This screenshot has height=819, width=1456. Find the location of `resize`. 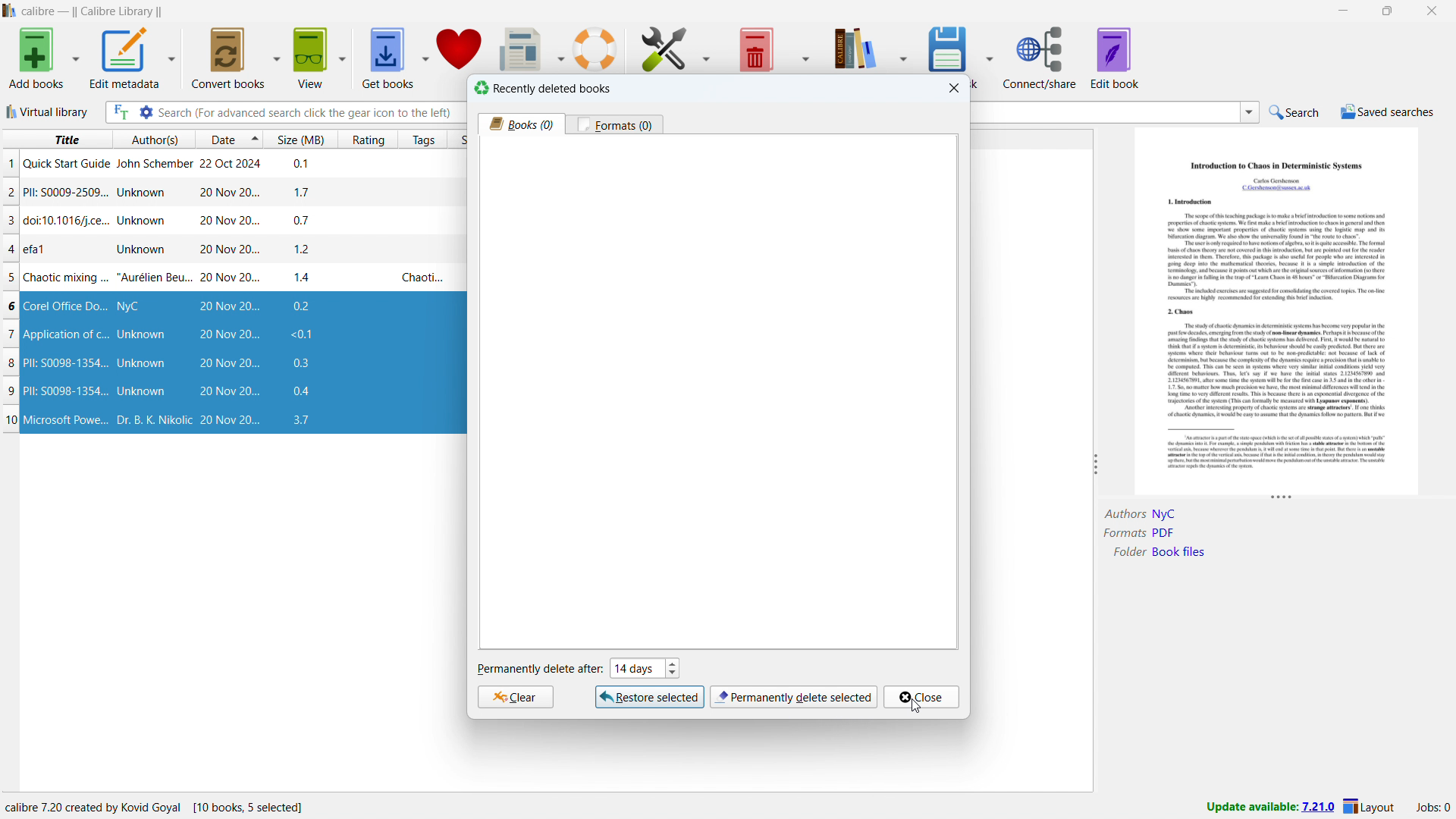

resize is located at coordinates (1094, 465).